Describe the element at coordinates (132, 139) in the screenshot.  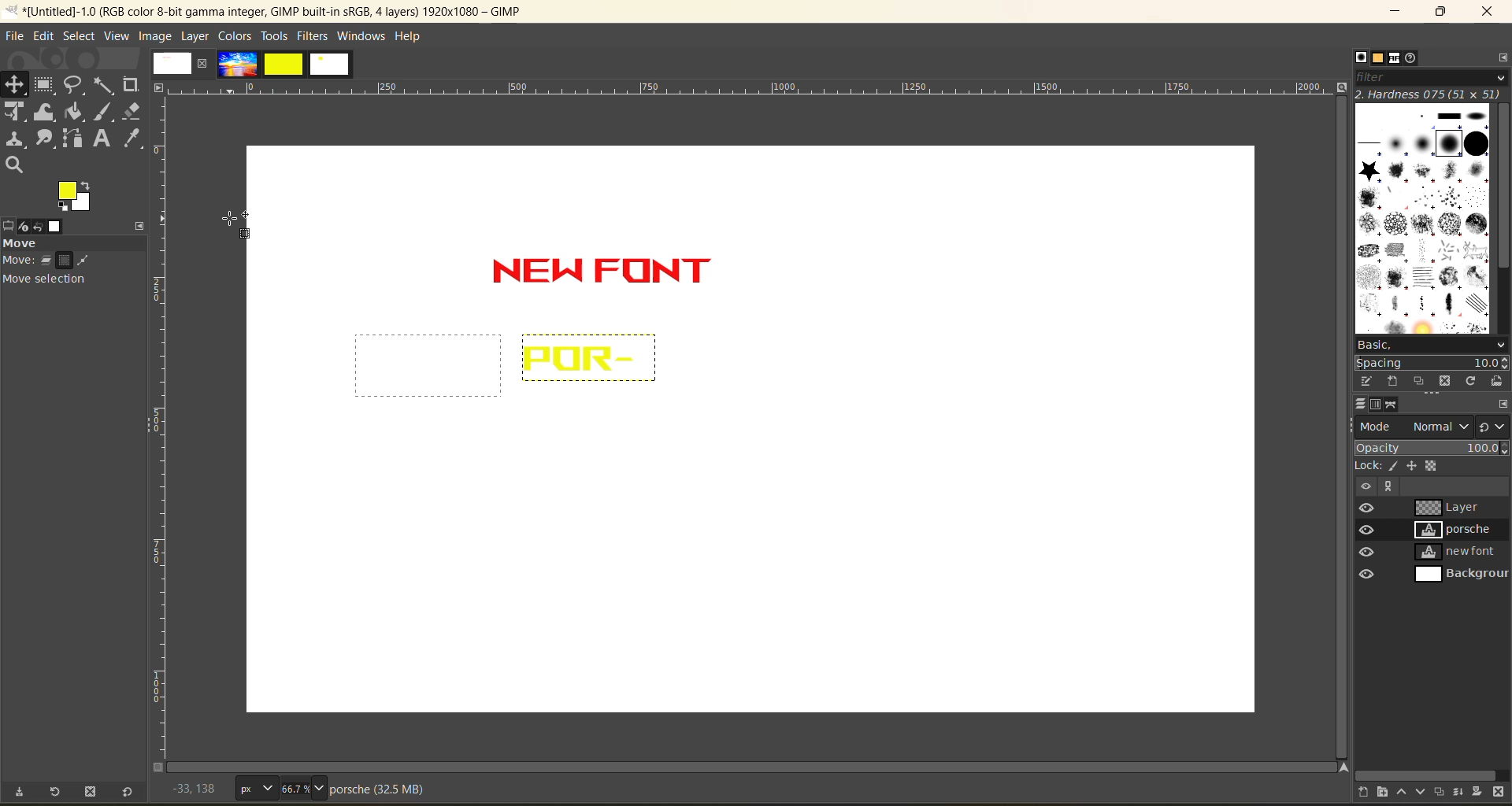
I see `color picker` at that location.